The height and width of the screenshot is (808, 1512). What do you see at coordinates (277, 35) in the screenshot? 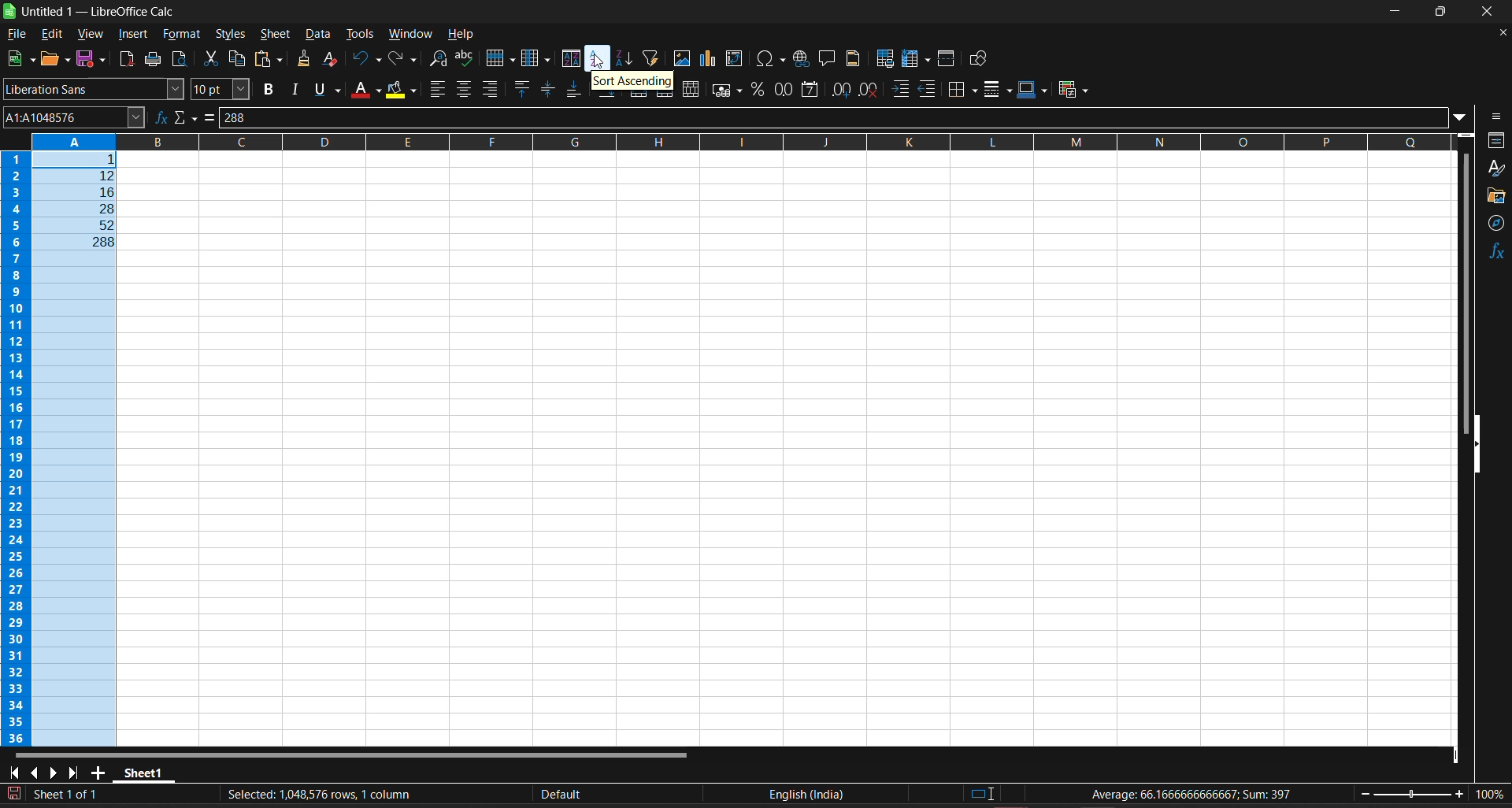
I see `sheet` at bounding box center [277, 35].